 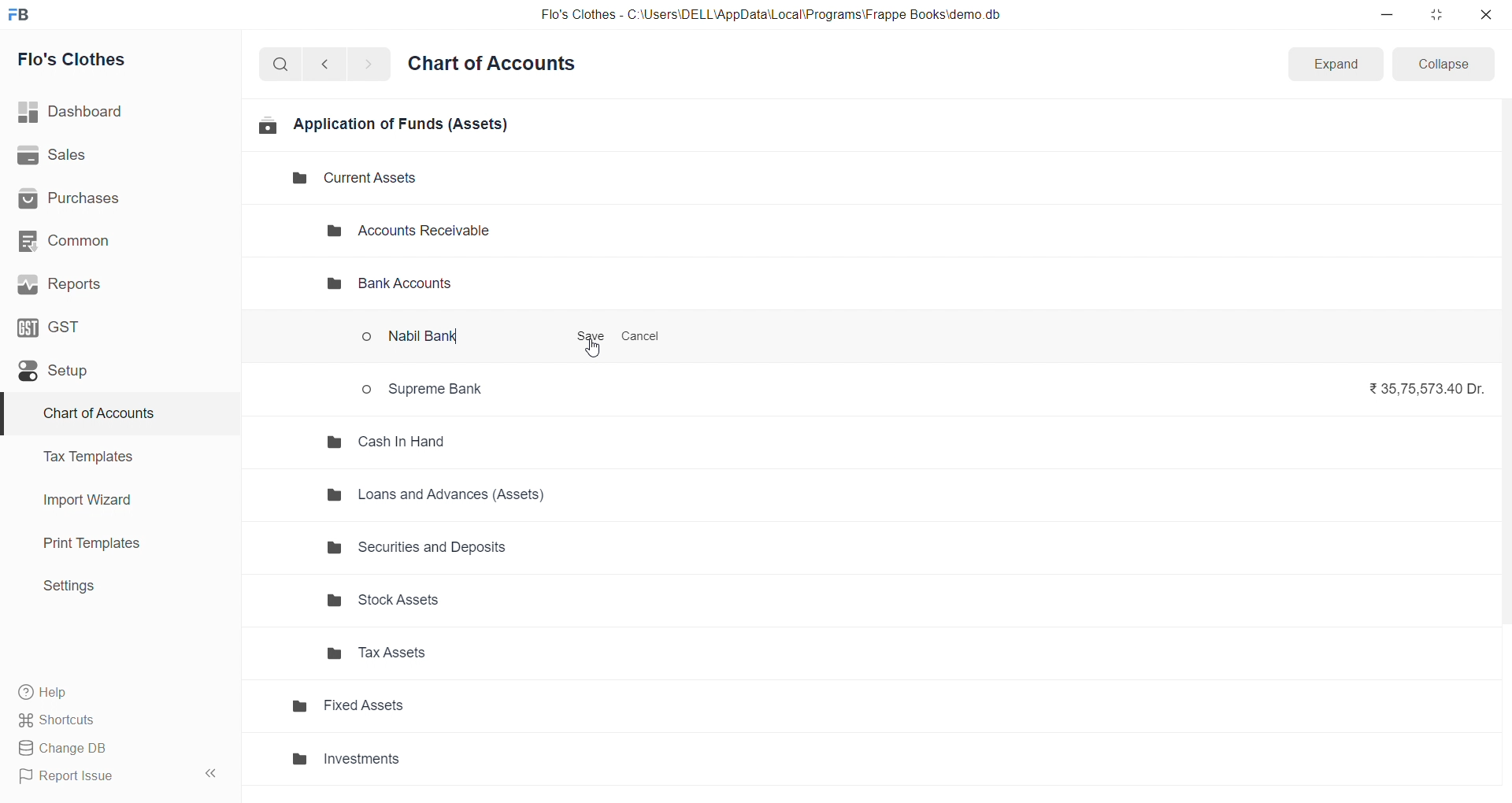 I want to click on Expand, so click(x=1334, y=65).